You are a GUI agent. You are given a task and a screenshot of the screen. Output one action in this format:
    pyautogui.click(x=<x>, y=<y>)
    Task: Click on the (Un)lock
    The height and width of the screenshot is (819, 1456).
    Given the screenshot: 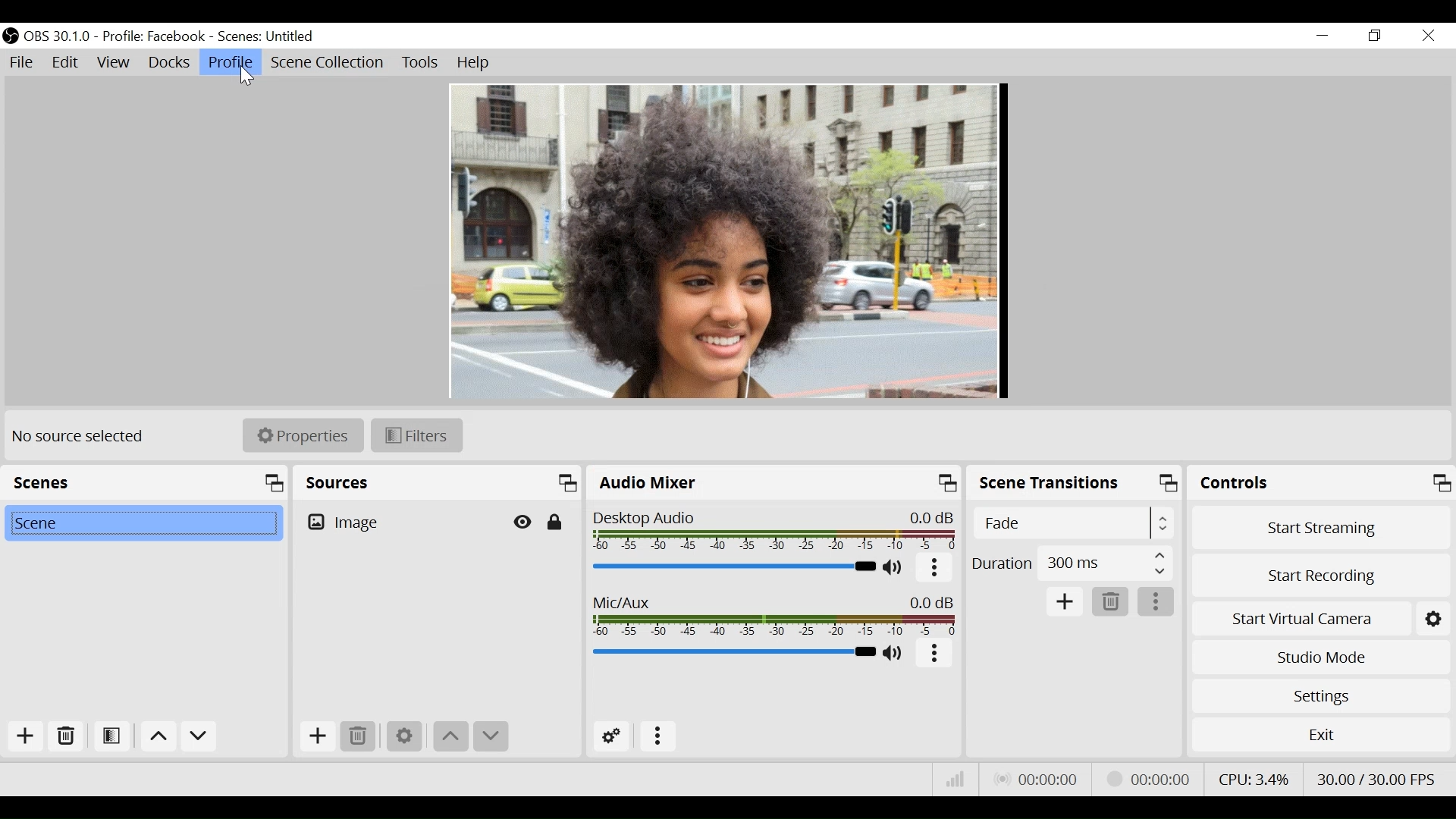 What is the action you would take?
    pyautogui.click(x=554, y=522)
    